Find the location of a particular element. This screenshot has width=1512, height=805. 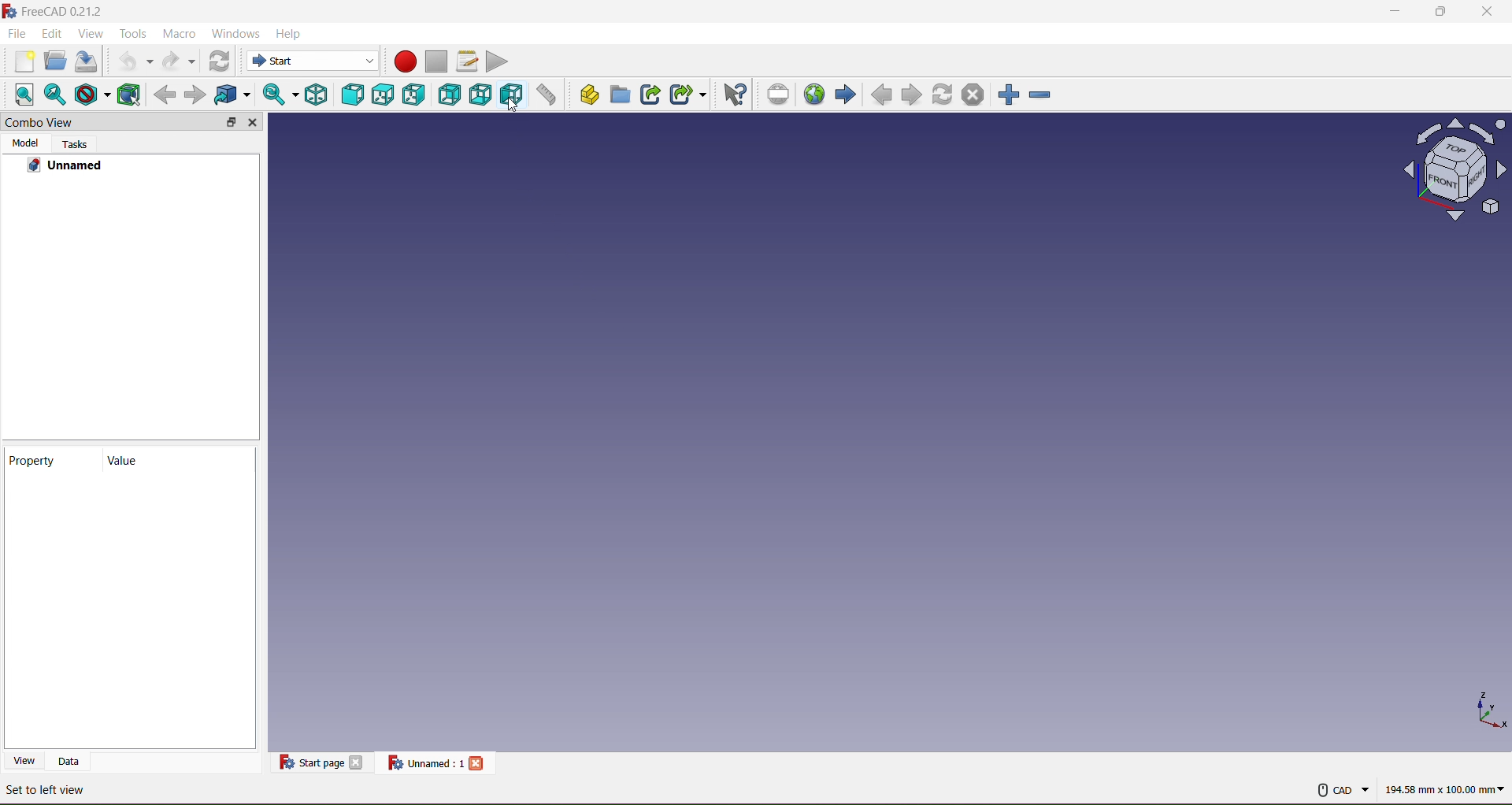

Maximize is located at coordinates (230, 122).